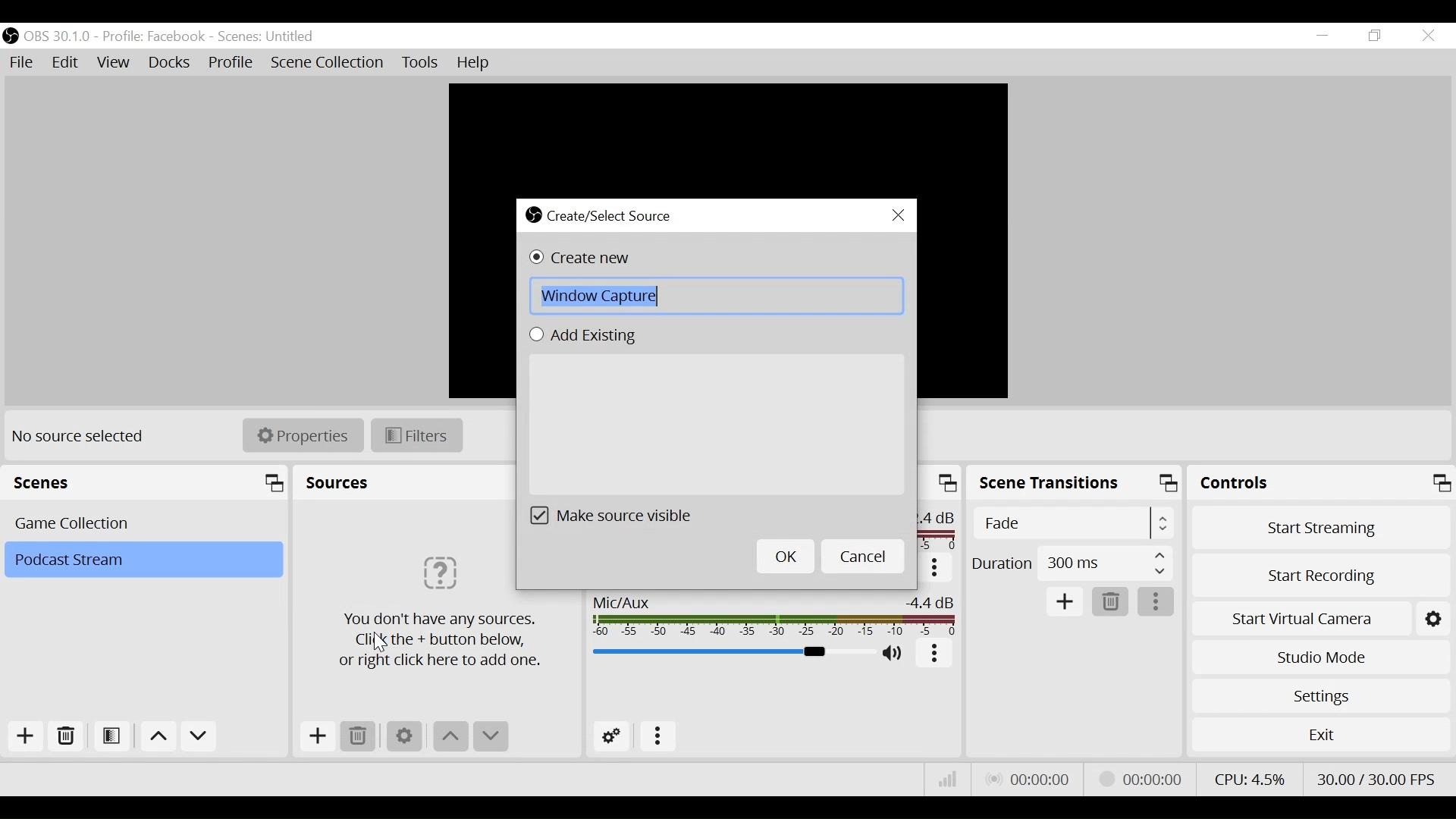 The image size is (1456, 819). What do you see at coordinates (422, 63) in the screenshot?
I see `Tools` at bounding box center [422, 63].